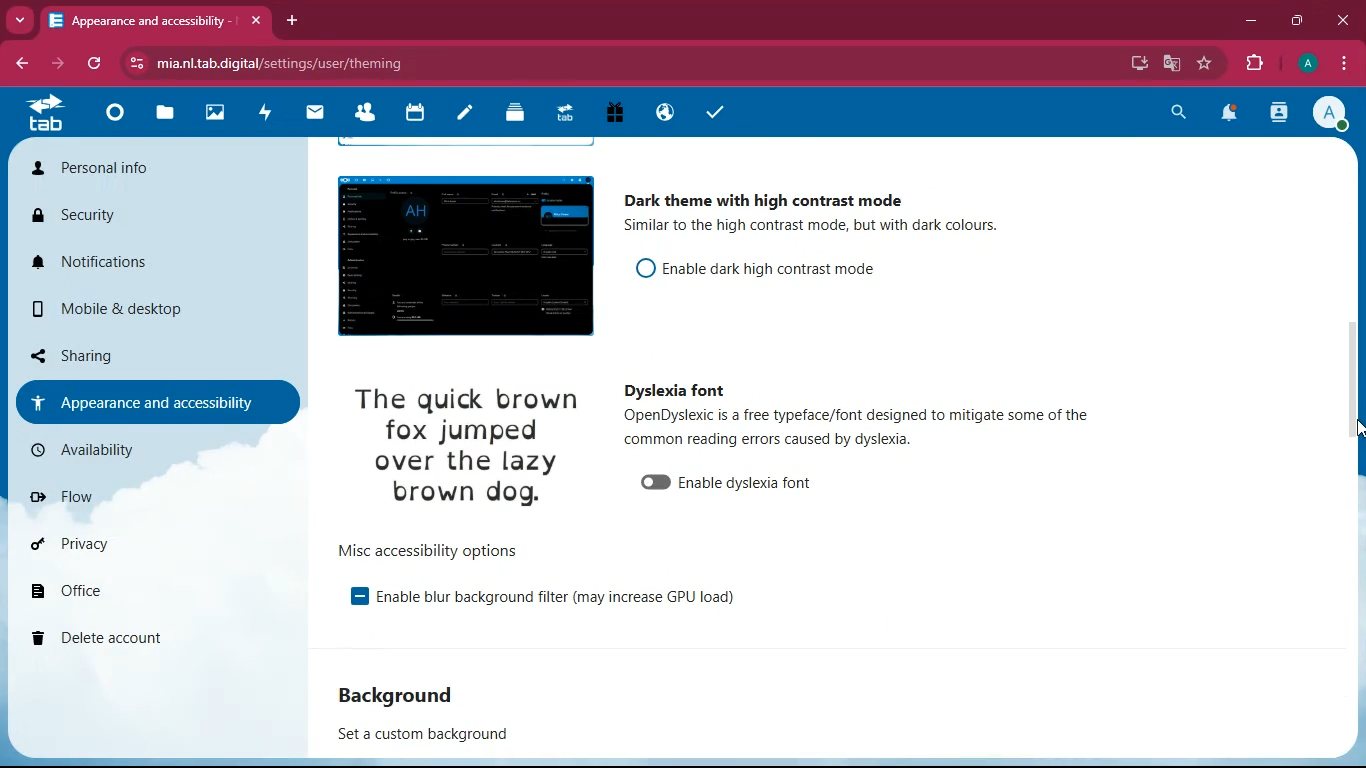 The image size is (1366, 768). Describe the element at coordinates (292, 20) in the screenshot. I see `add tab` at that location.